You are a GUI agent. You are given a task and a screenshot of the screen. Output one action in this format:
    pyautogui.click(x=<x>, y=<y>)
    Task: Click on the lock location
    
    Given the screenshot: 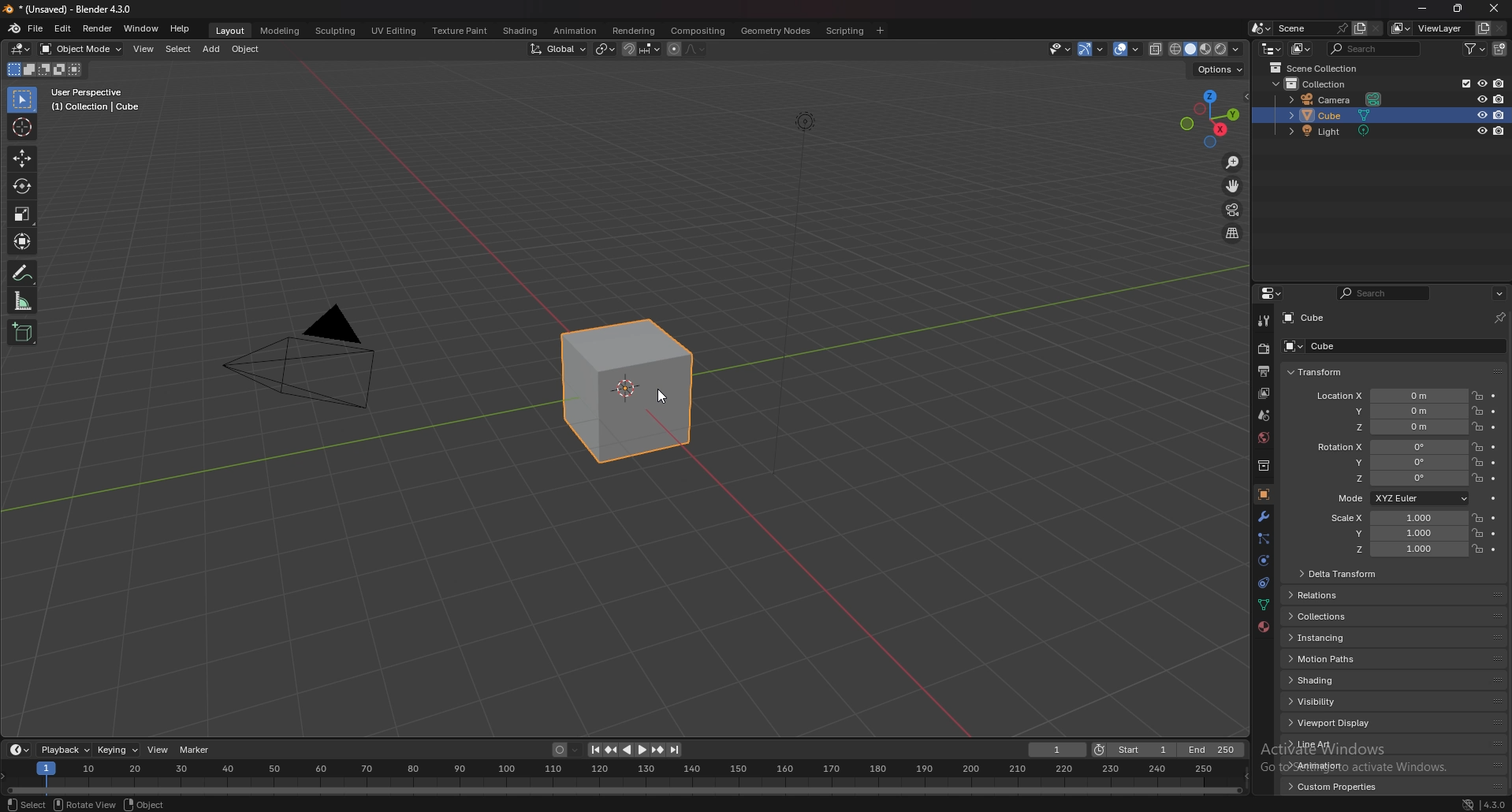 What is the action you would take?
    pyautogui.click(x=1478, y=410)
    